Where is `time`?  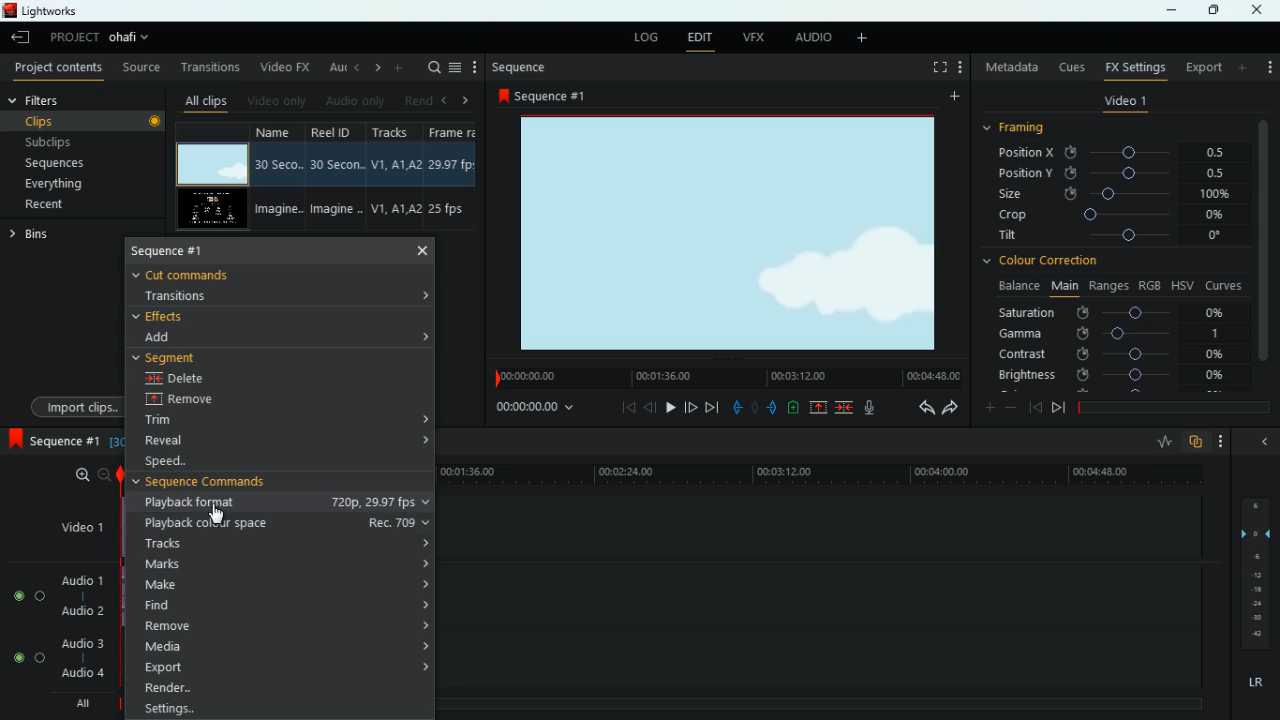
time is located at coordinates (818, 473).